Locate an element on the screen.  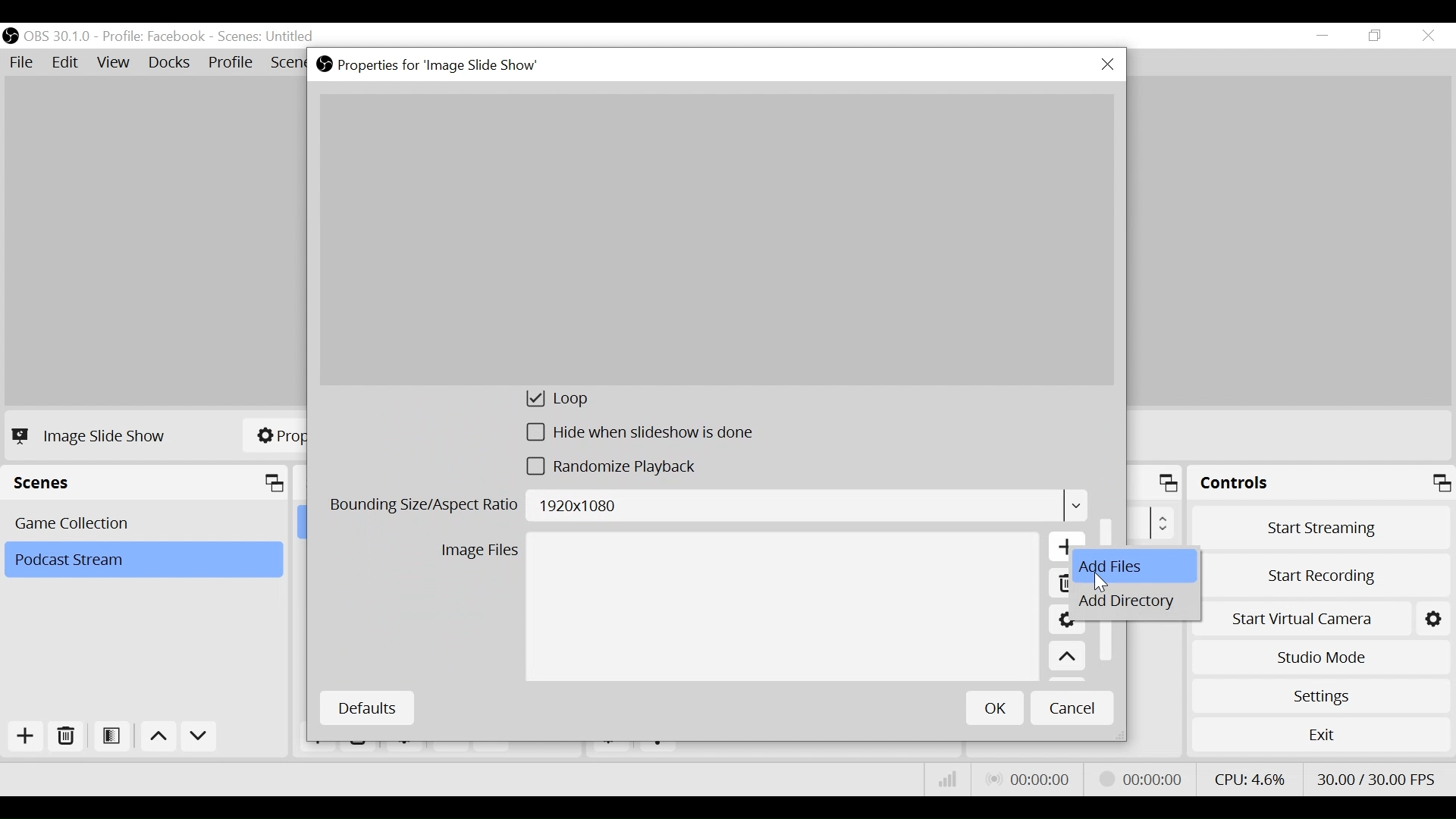
Scene is located at coordinates (146, 522).